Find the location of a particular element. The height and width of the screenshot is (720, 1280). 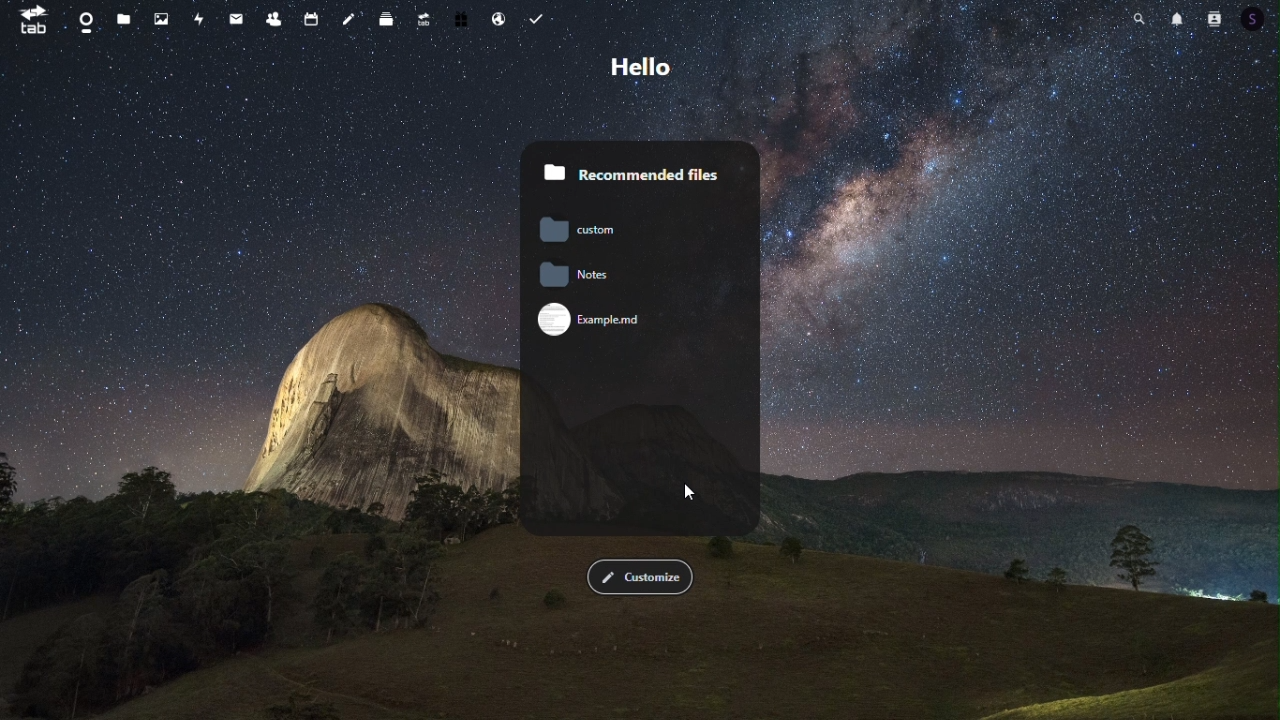

hello is located at coordinates (643, 67).